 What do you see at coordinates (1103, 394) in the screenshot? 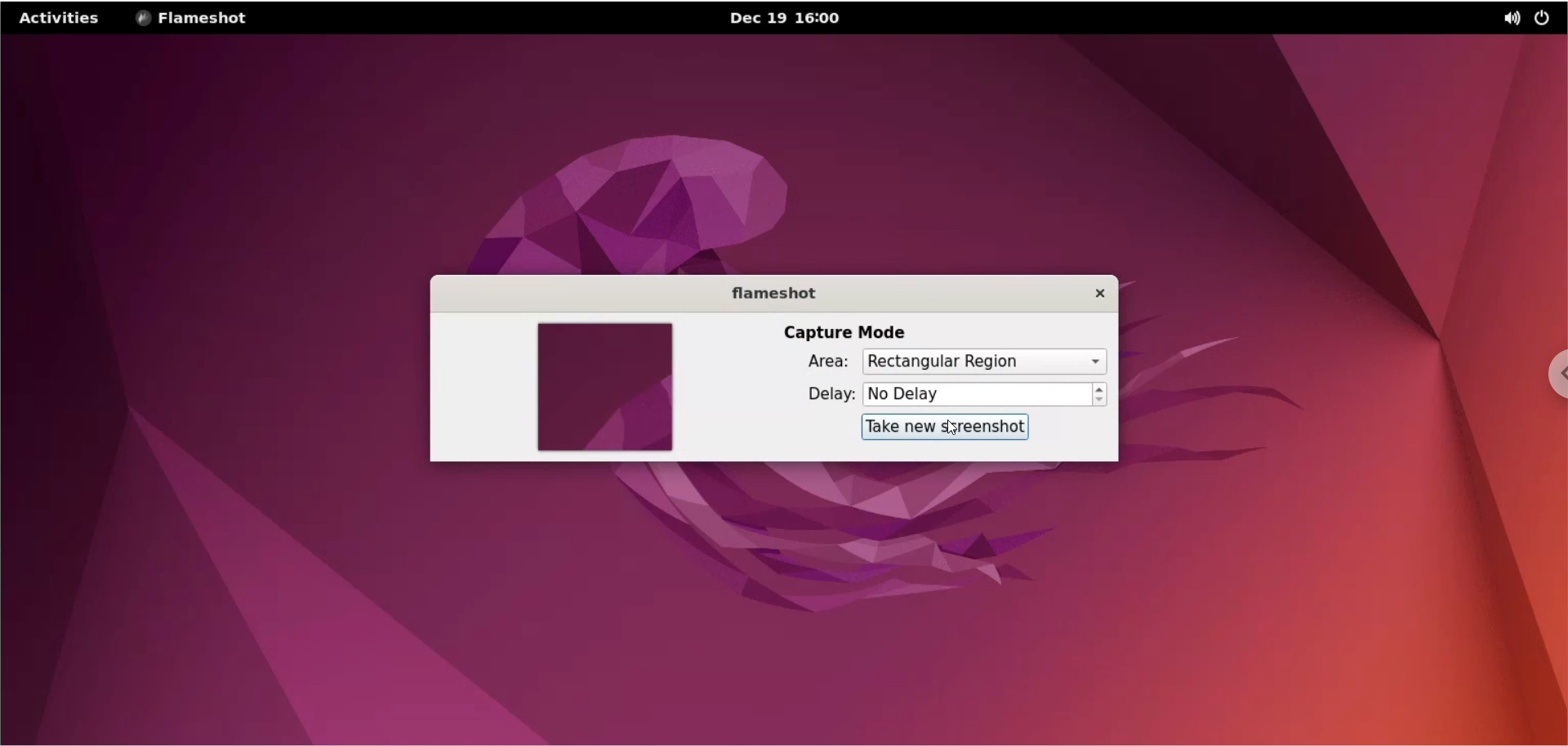
I see `increment and decrement delay` at bounding box center [1103, 394].